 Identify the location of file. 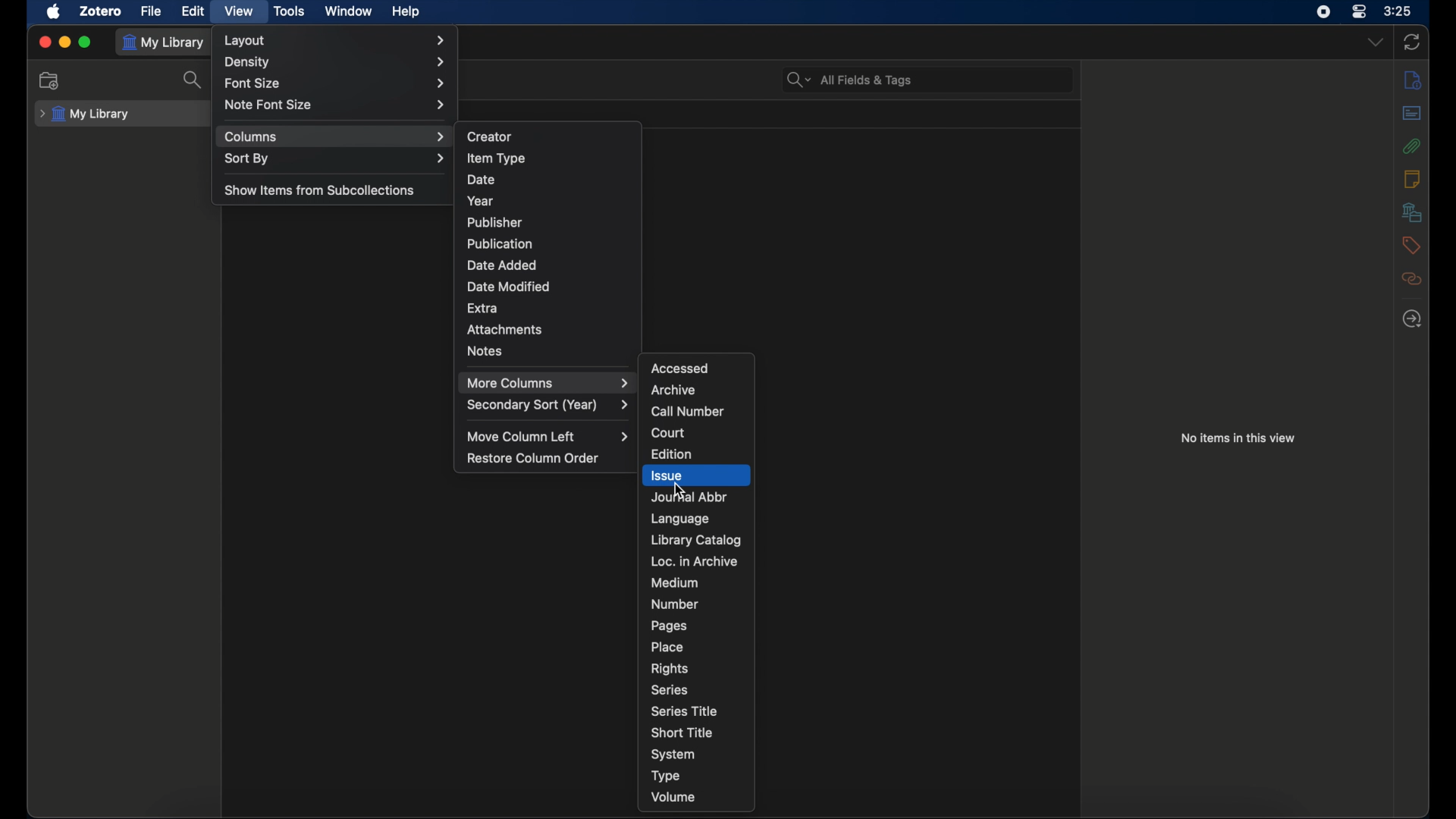
(150, 11).